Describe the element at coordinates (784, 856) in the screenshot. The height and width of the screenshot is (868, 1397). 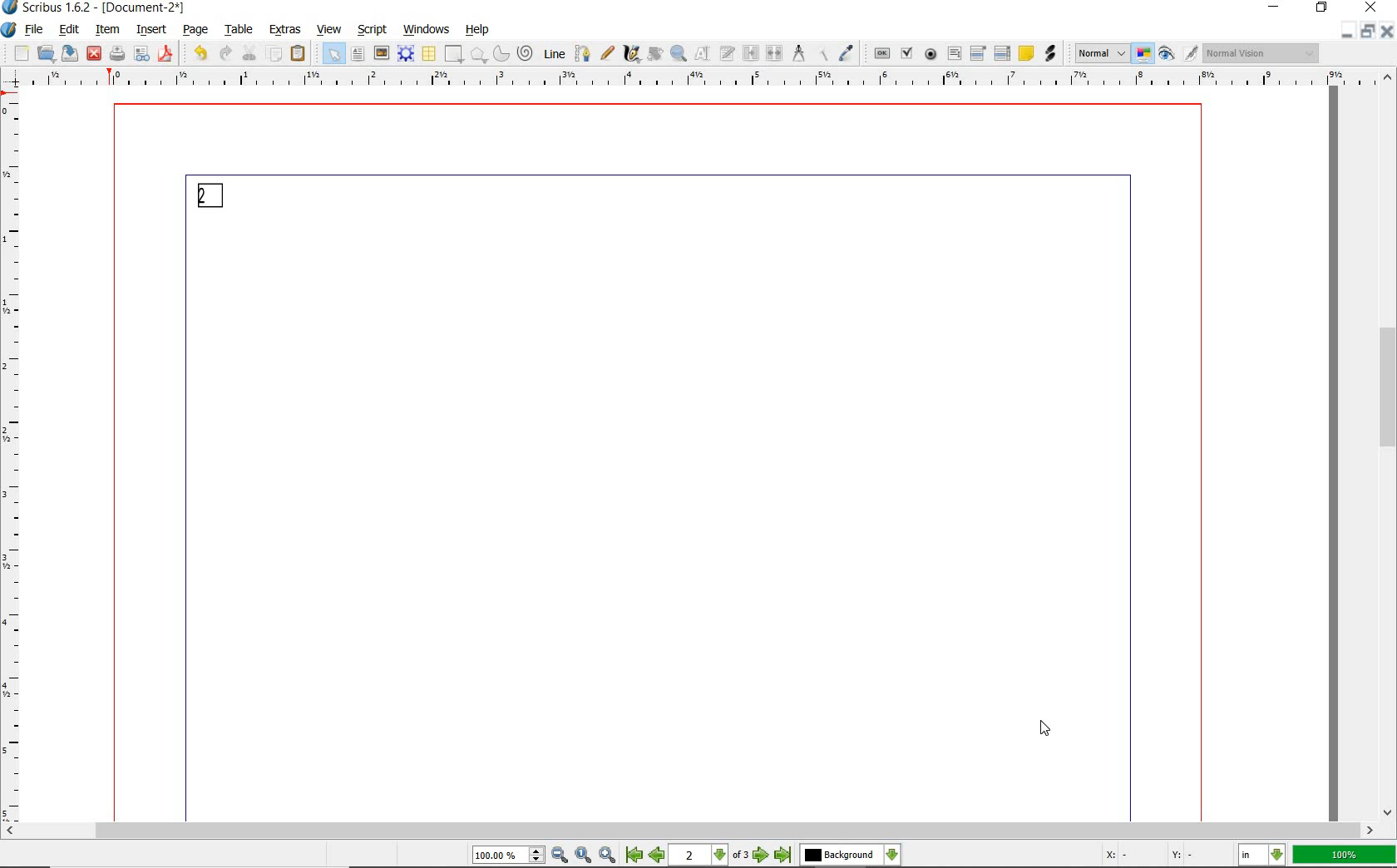
I see `Last Page` at that location.